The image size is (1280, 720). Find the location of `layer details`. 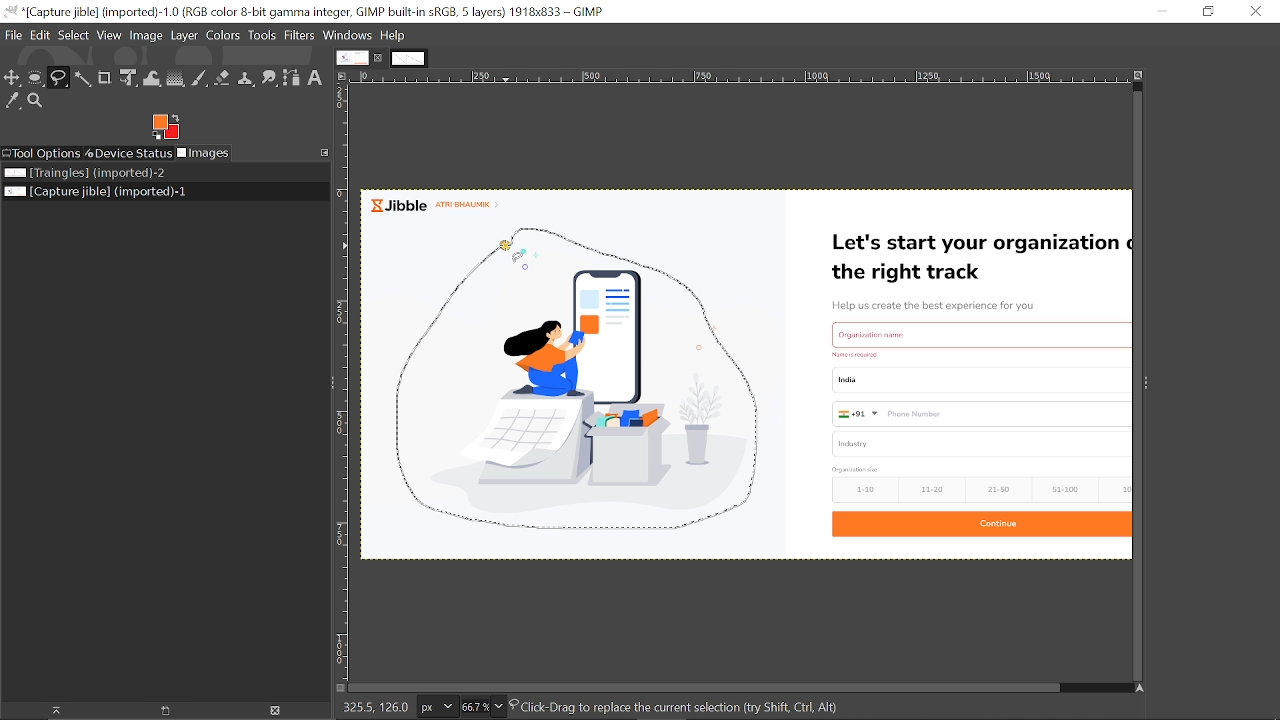

layer details is located at coordinates (693, 708).